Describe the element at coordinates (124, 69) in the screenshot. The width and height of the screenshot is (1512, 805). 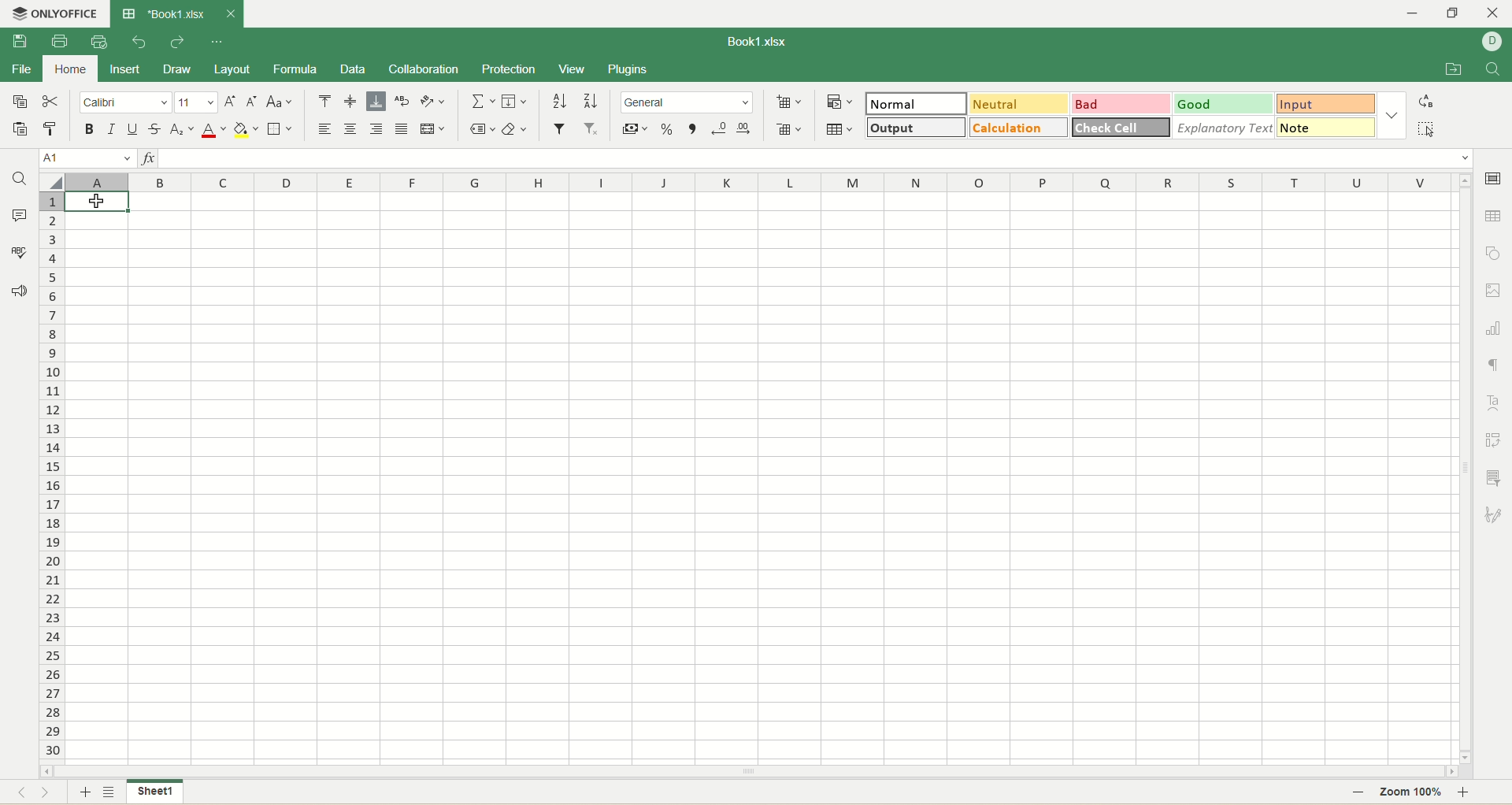
I see `insert` at that location.